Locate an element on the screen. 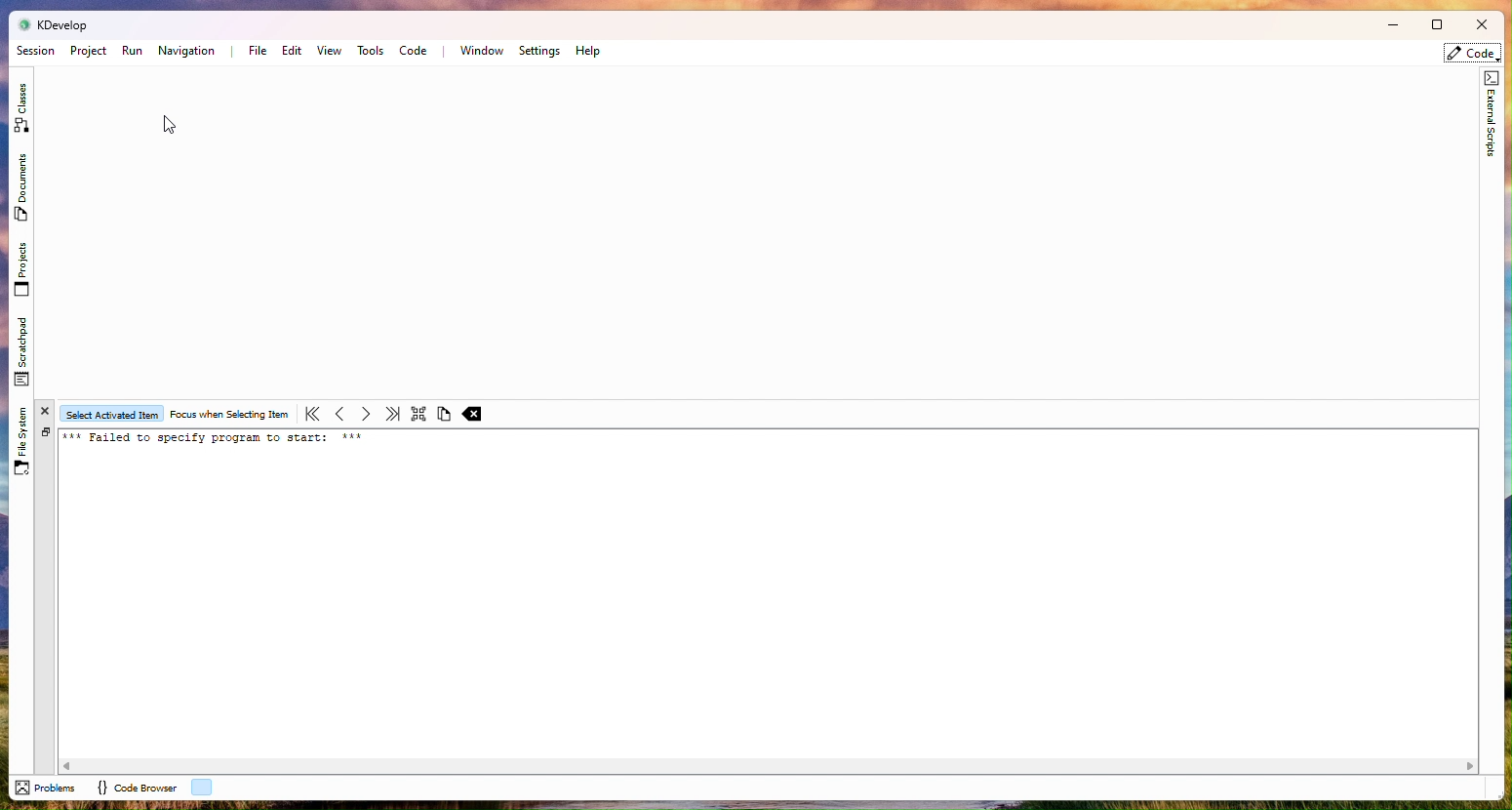 Image resolution: width=1512 pixels, height=810 pixels. External scripts is located at coordinates (1490, 121).